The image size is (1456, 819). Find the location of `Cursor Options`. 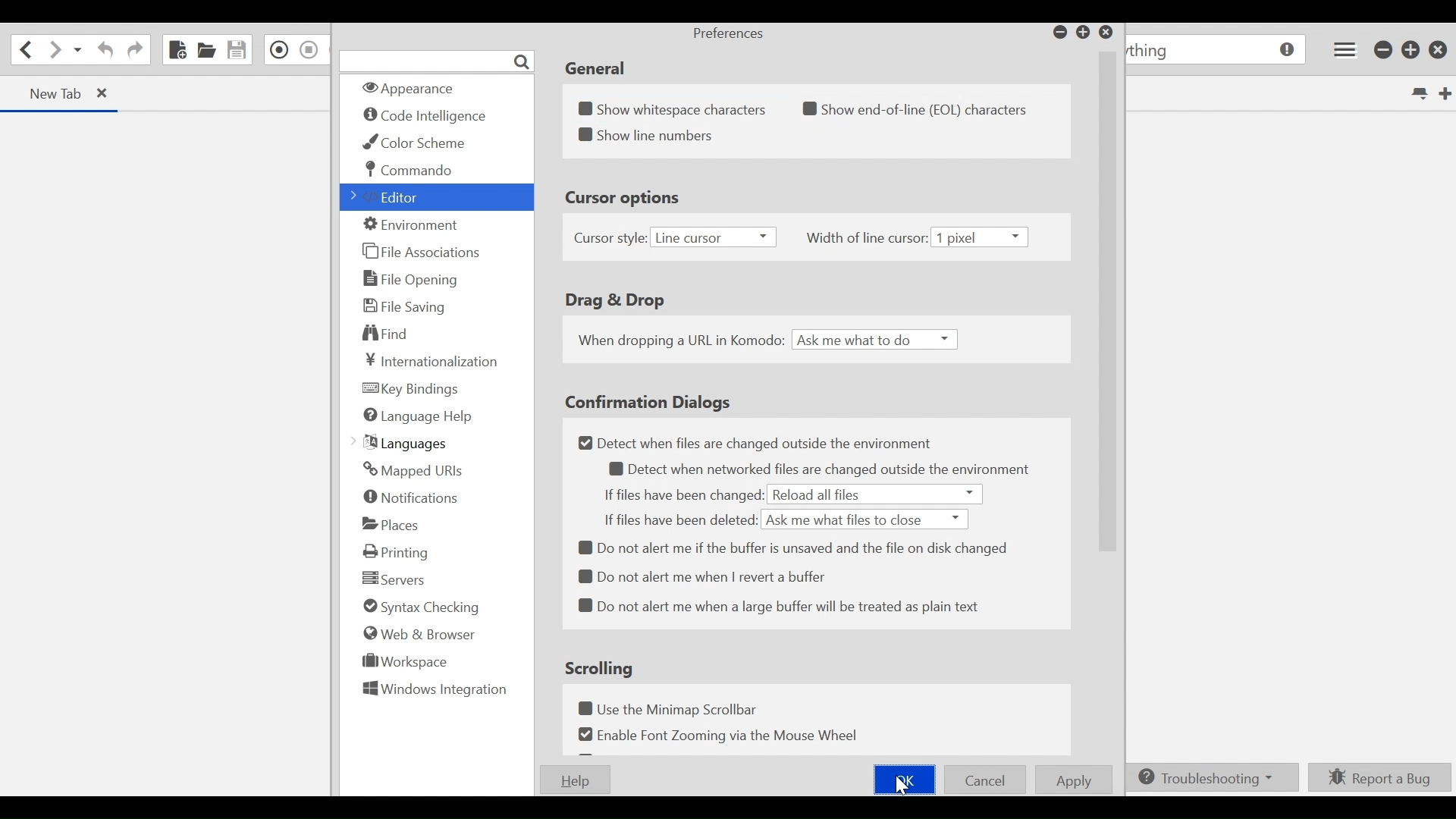

Cursor Options is located at coordinates (629, 200).